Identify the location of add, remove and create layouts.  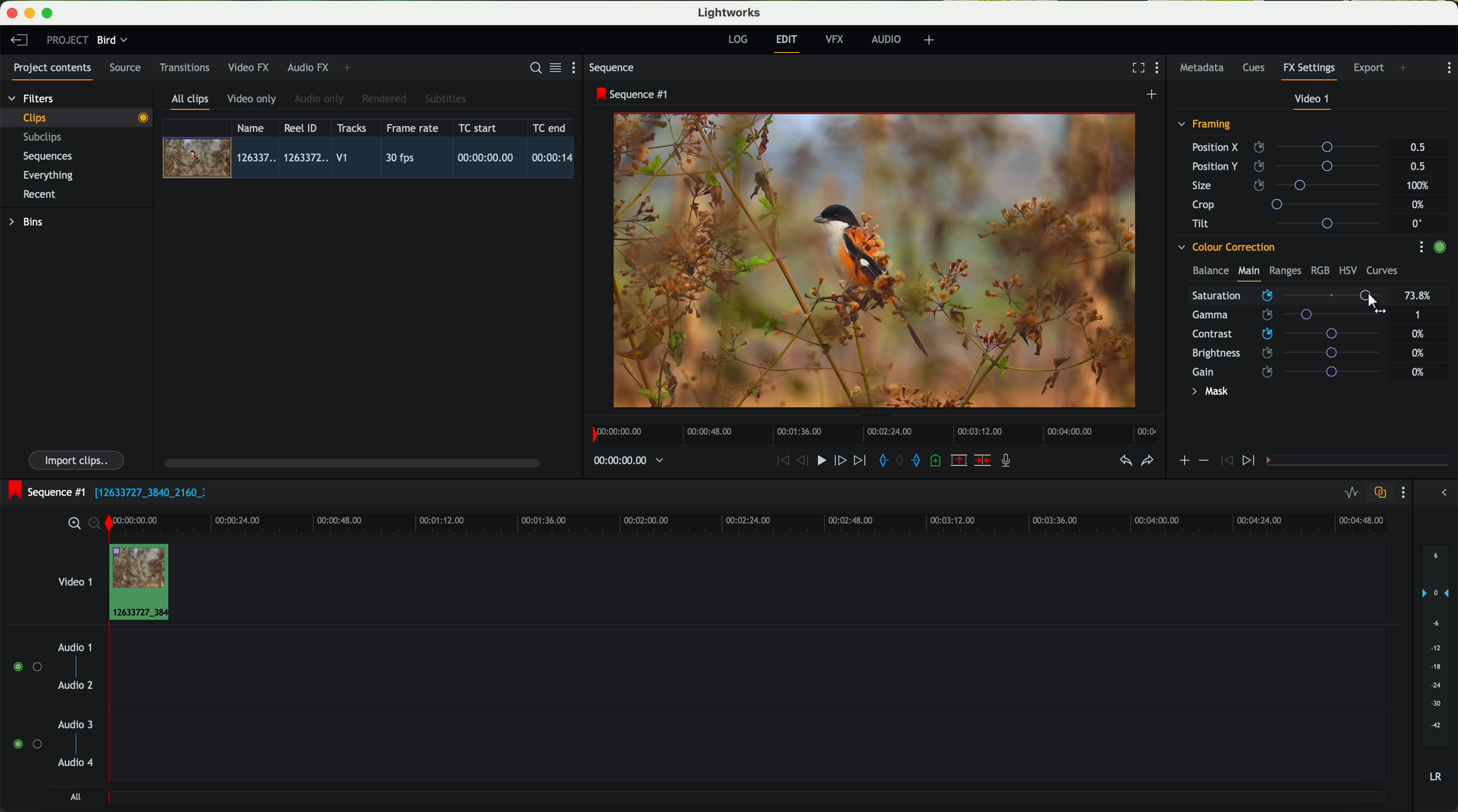
(931, 40).